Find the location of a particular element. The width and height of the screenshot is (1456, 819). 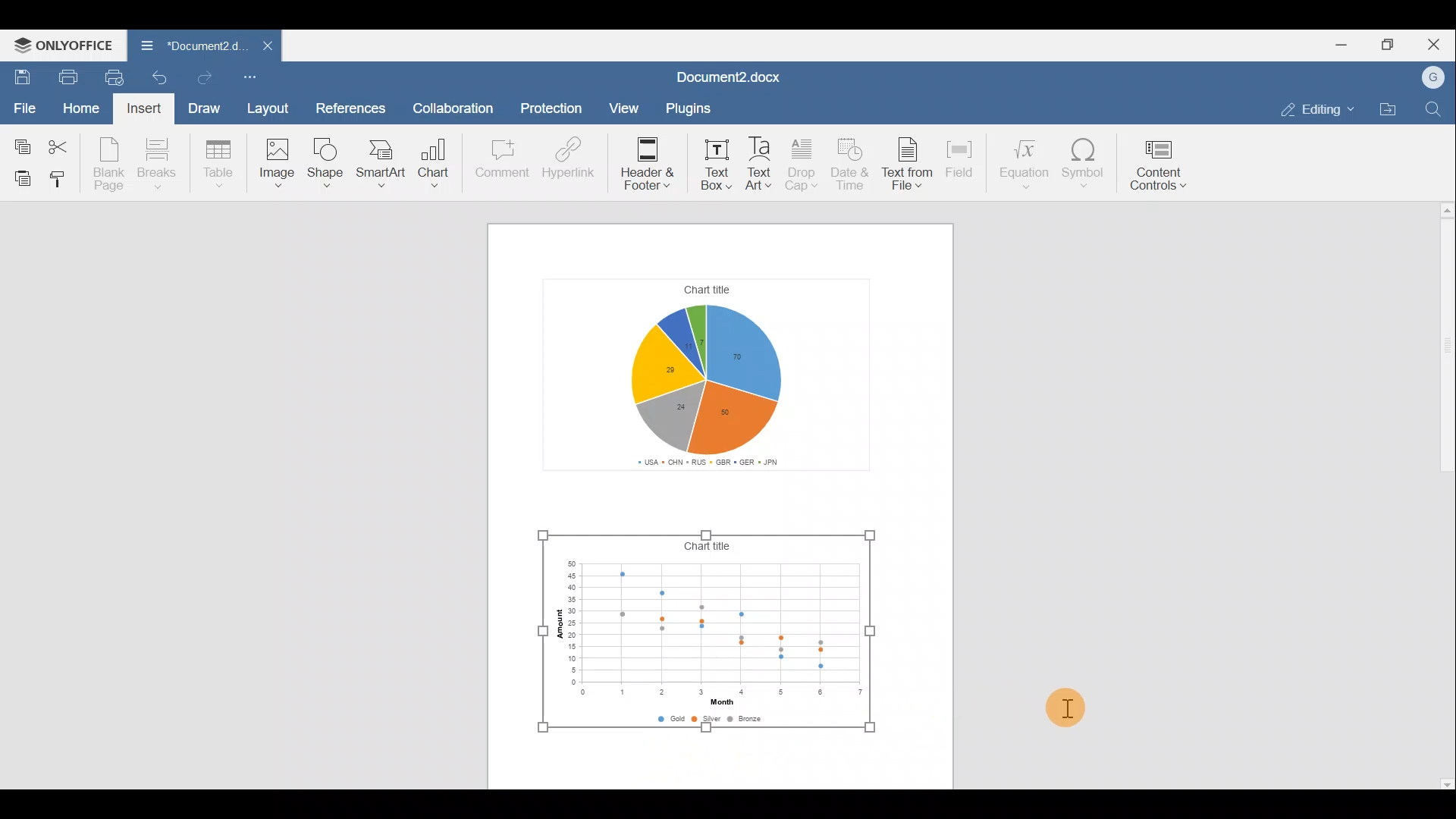

Symbol is located at coordinates (1084, 167).